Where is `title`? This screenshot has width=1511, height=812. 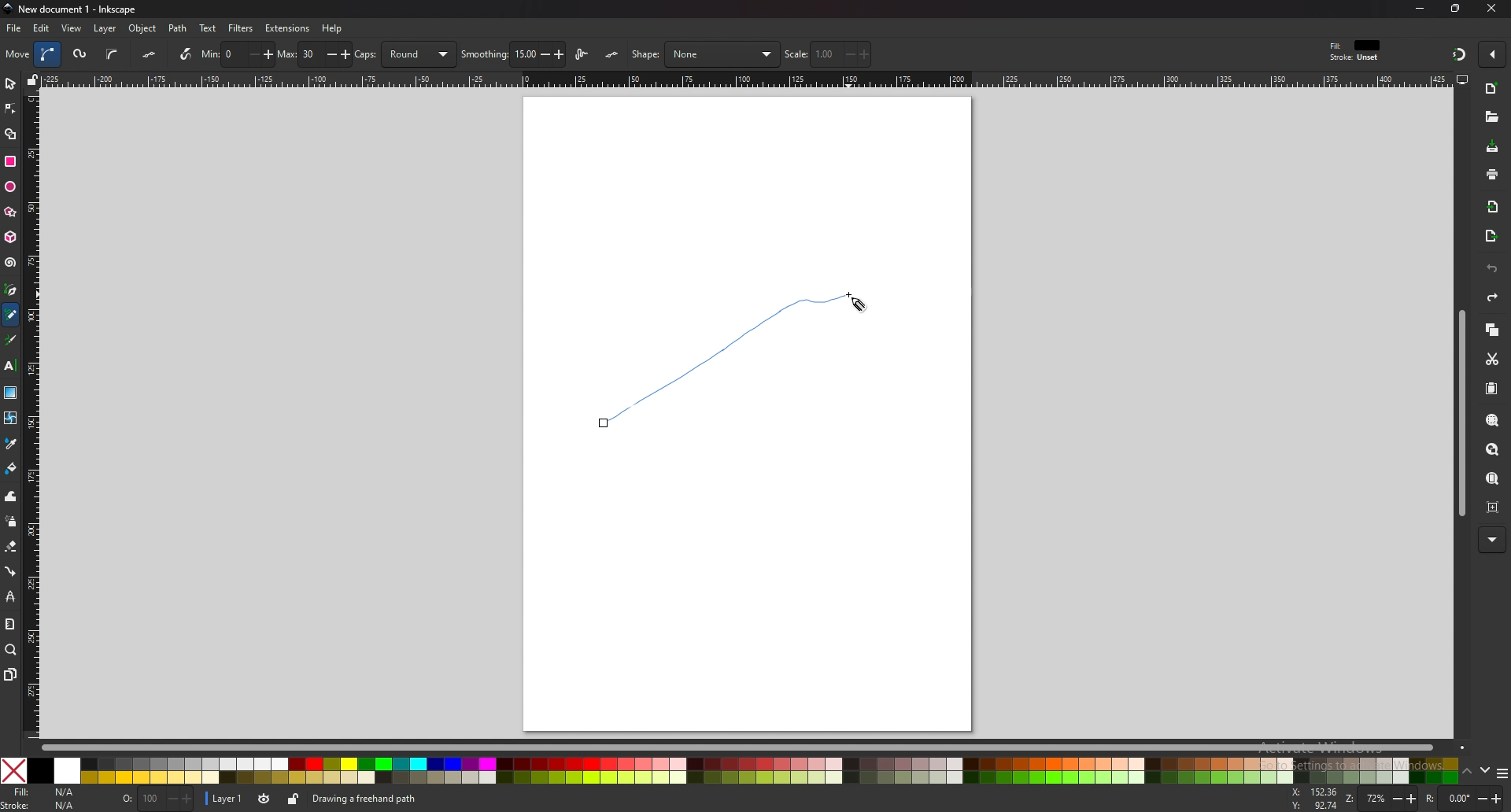 title is located at coordinates (69, 9).